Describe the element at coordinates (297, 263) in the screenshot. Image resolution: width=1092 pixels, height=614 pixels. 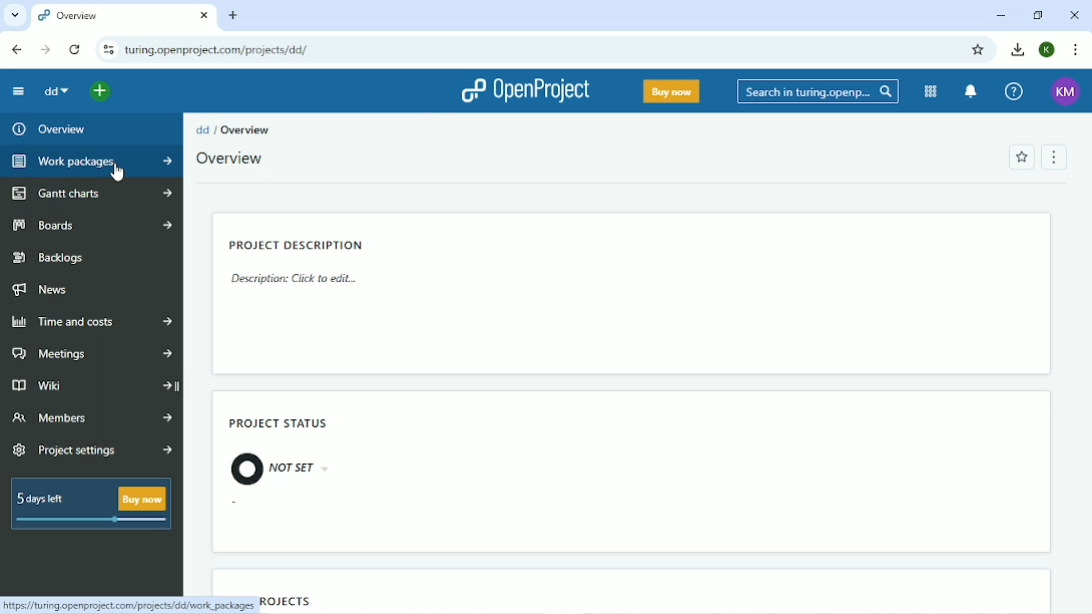
I see `Project description` at that location.